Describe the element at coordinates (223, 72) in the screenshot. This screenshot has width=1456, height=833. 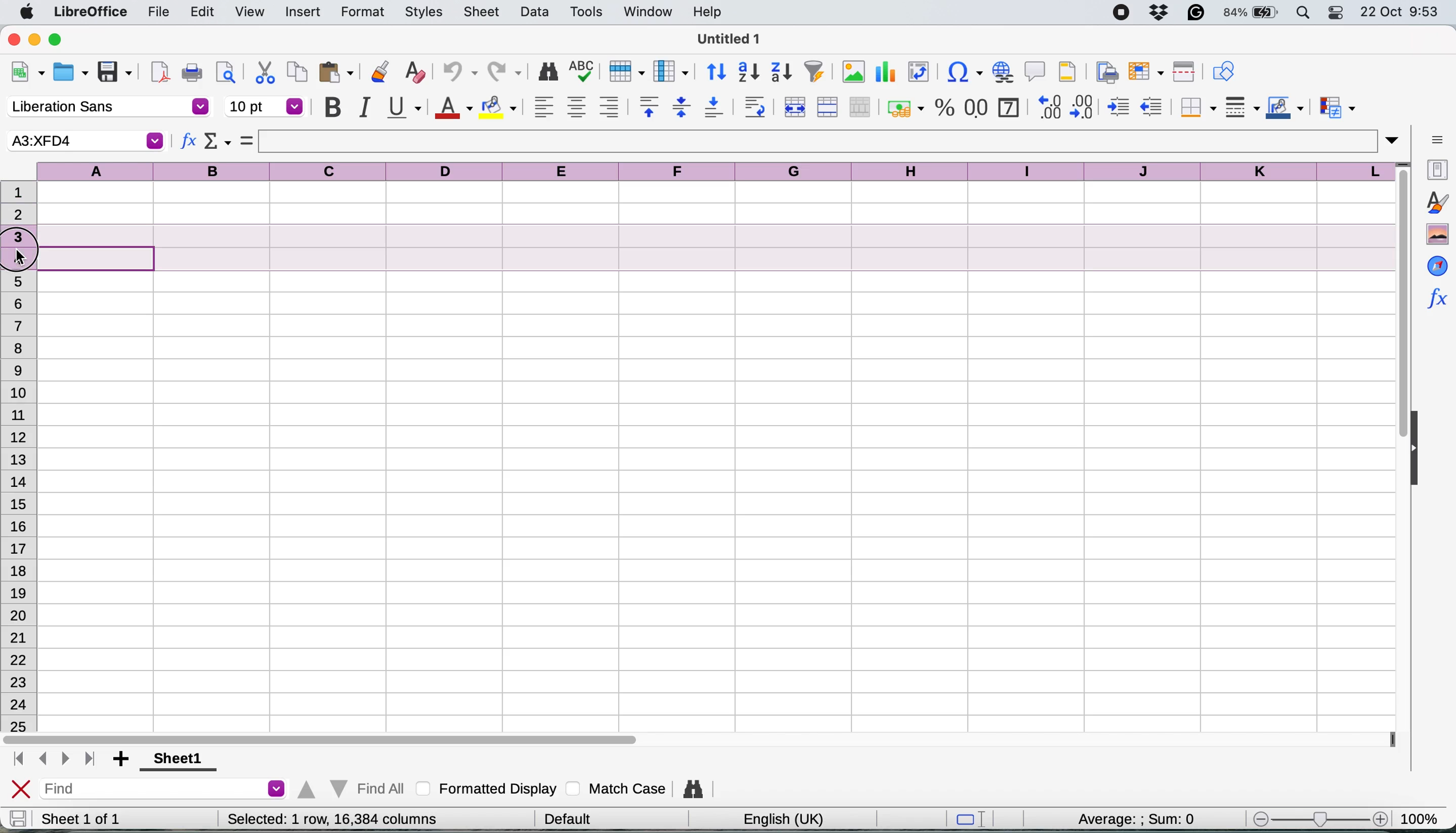
I see `print preview` at that location.